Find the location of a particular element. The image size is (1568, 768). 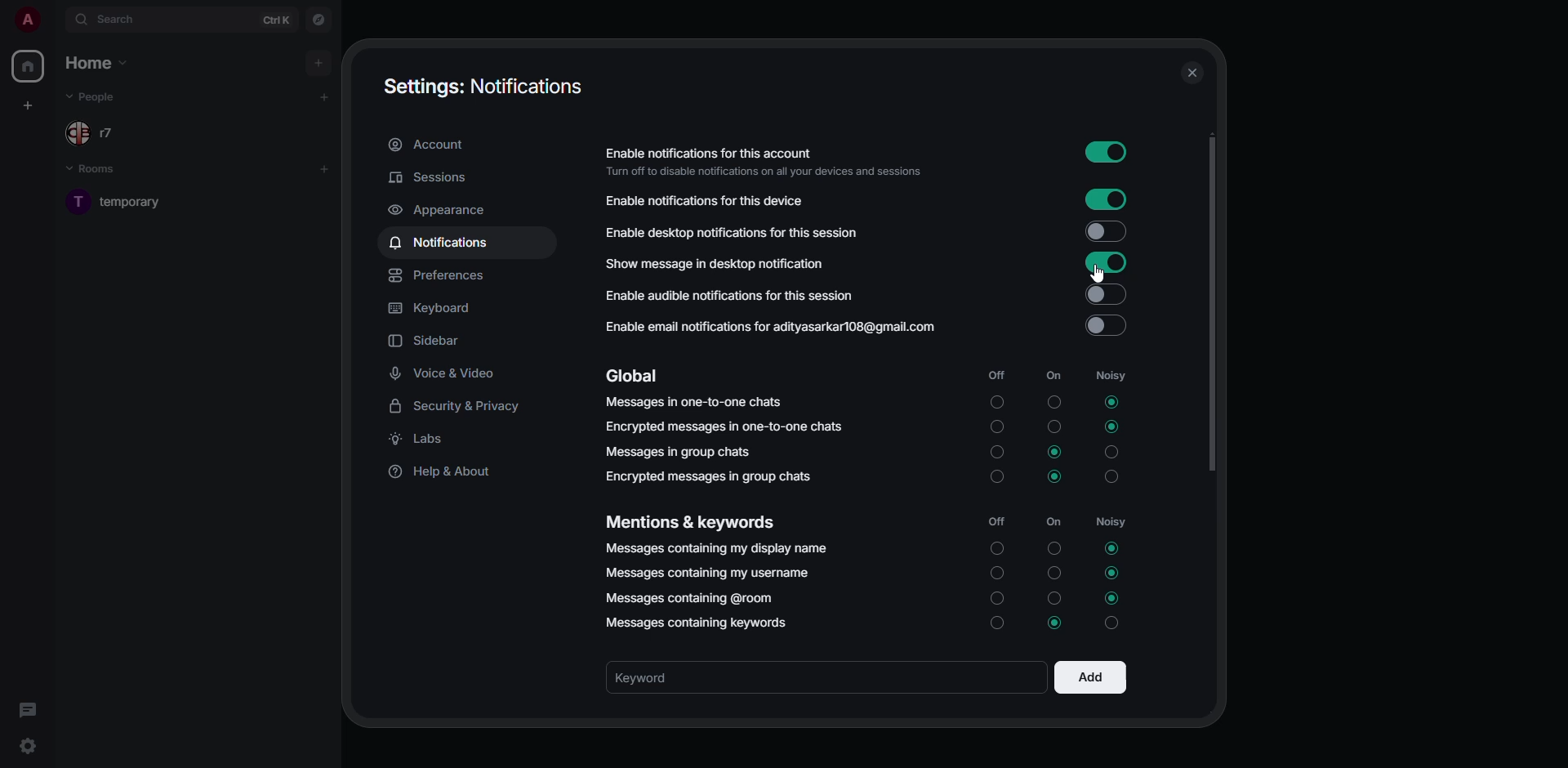

voice & video is located at coordinates (446, 373).